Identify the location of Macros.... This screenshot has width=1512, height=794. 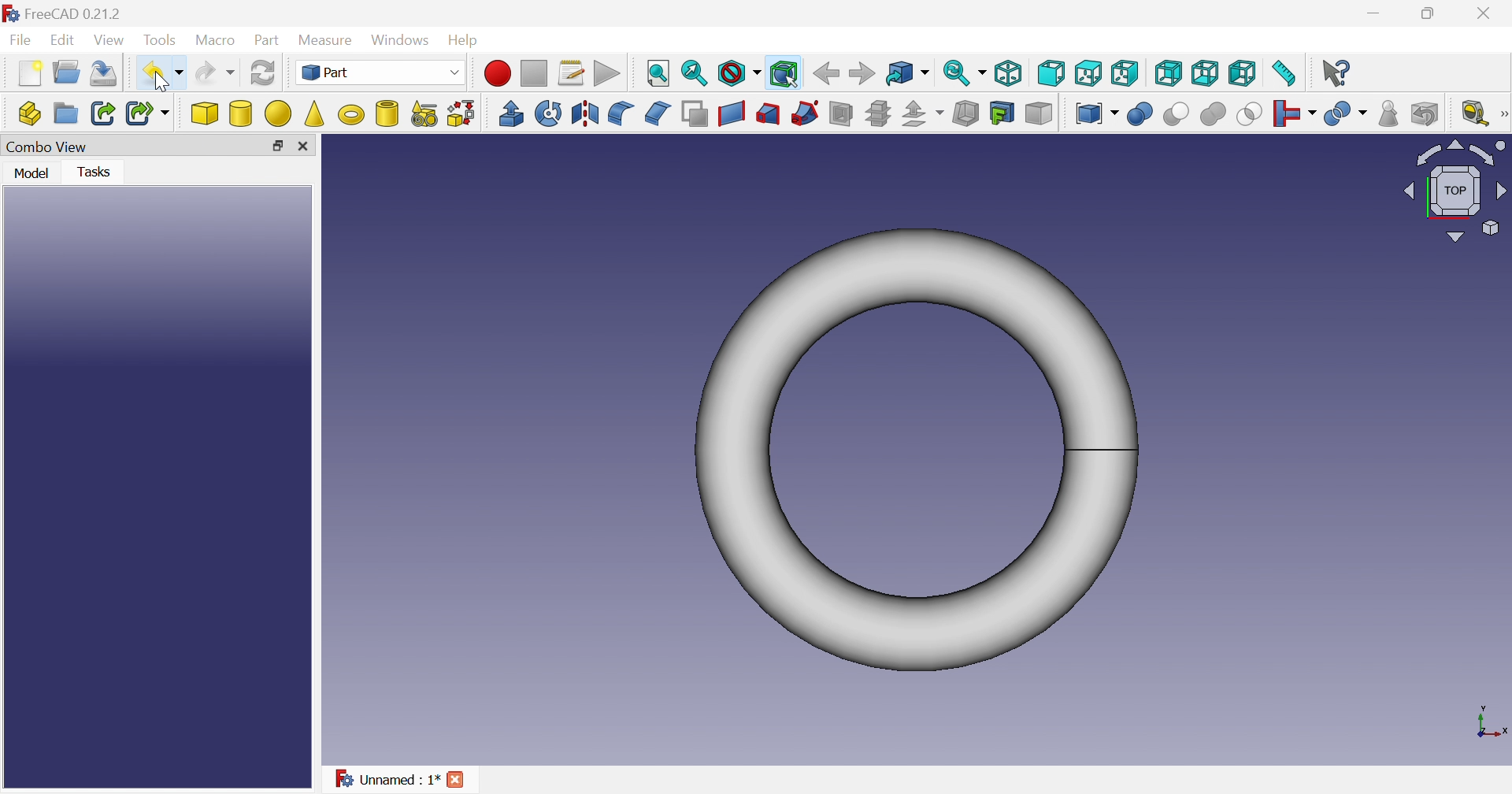
(572, 72).